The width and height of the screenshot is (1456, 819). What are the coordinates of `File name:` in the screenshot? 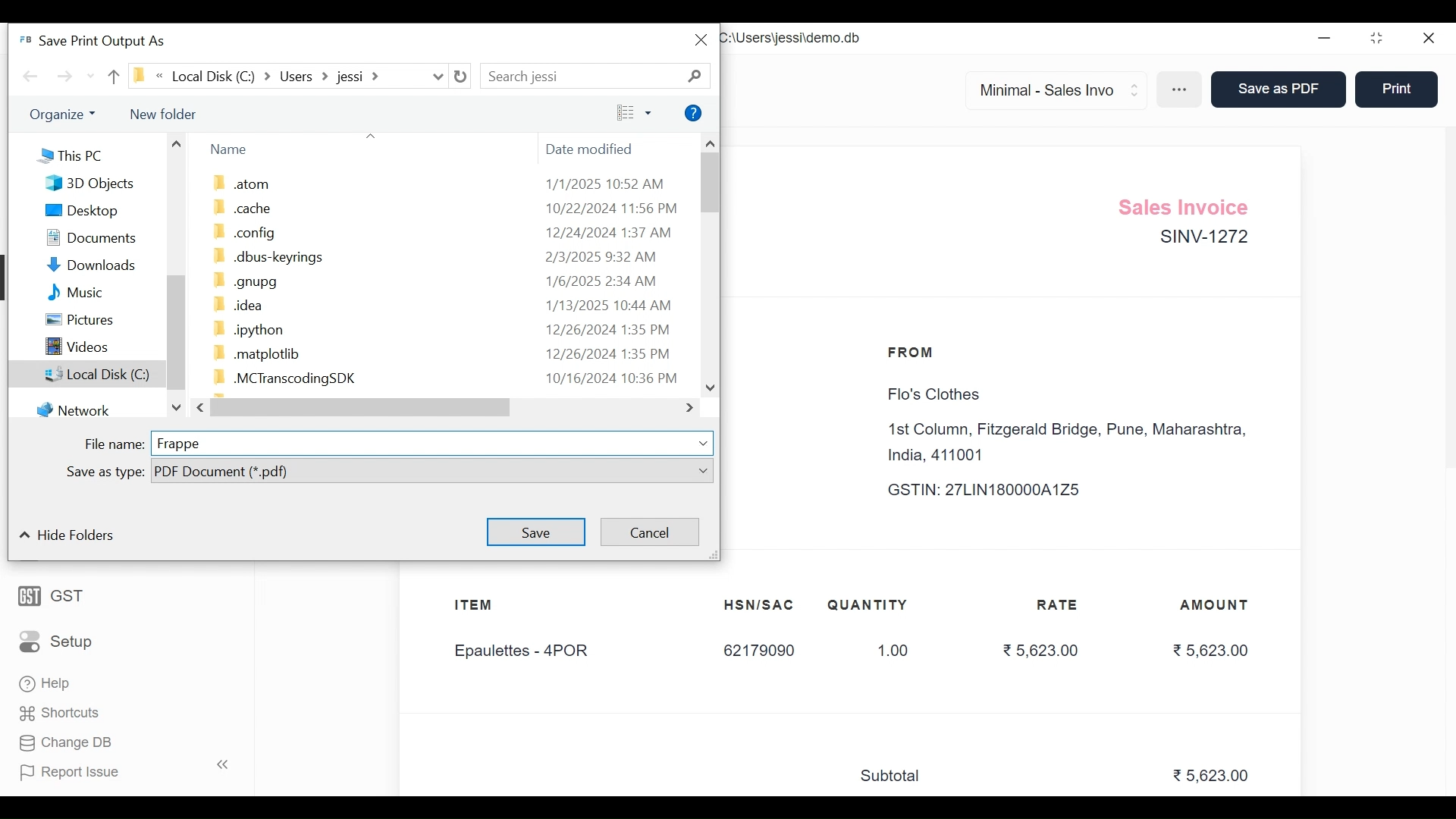 It's located at (114, 444).